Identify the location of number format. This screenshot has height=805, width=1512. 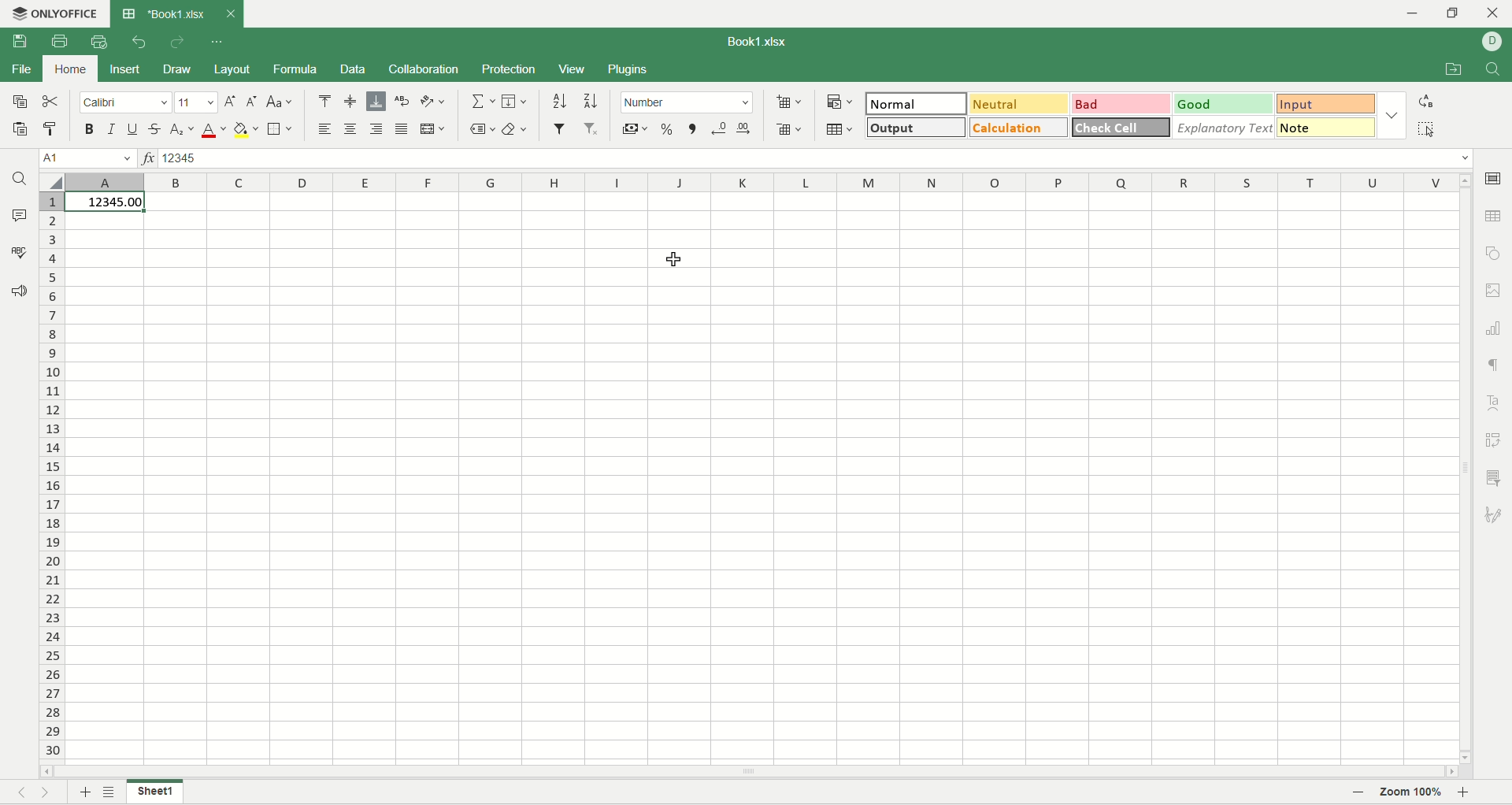
(689, 103).